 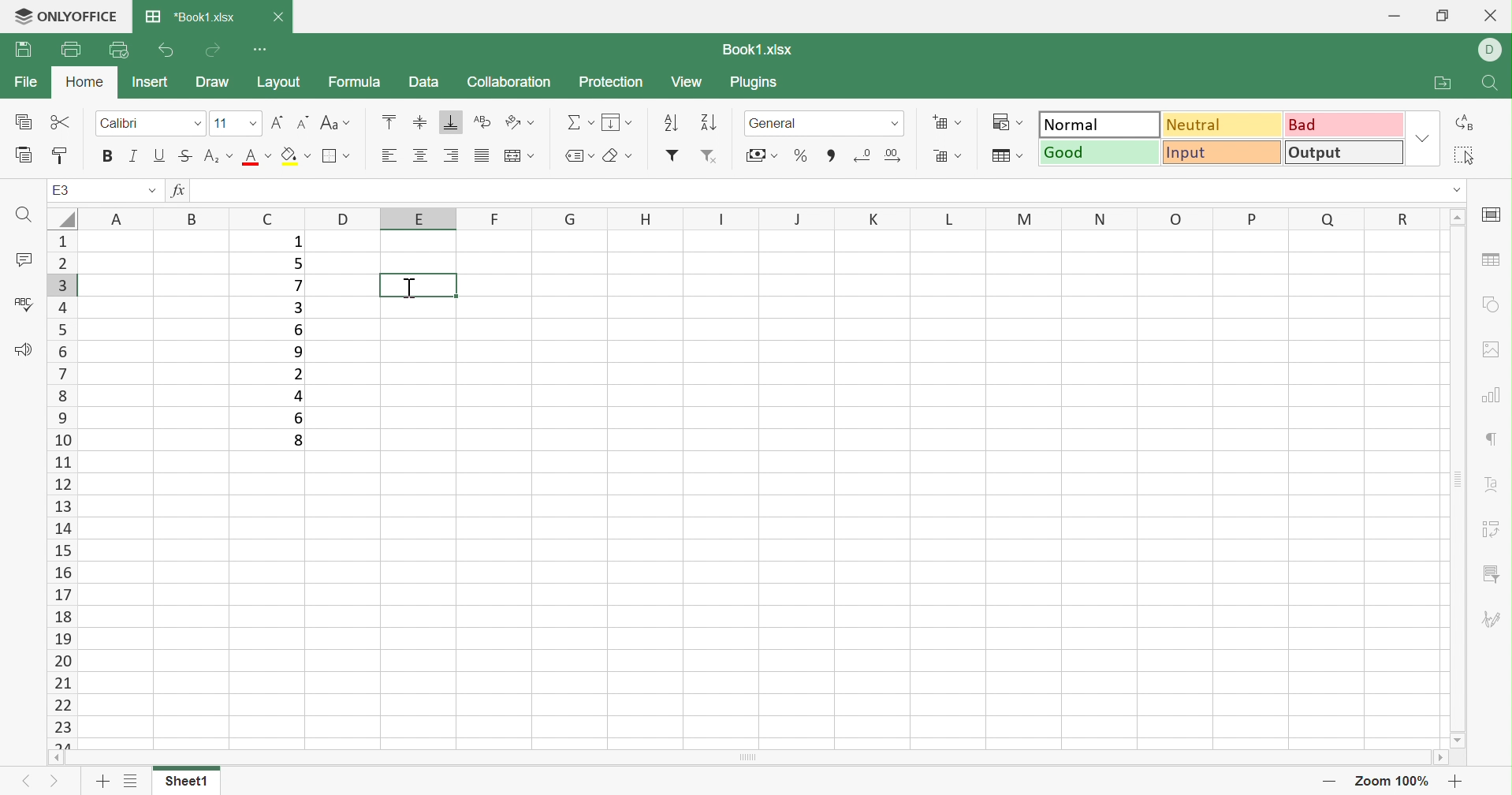 What do you see at coordinates (1011, 121) in the screenshot?
I see `Conditional formatting` at bounding box center [1011, 121].